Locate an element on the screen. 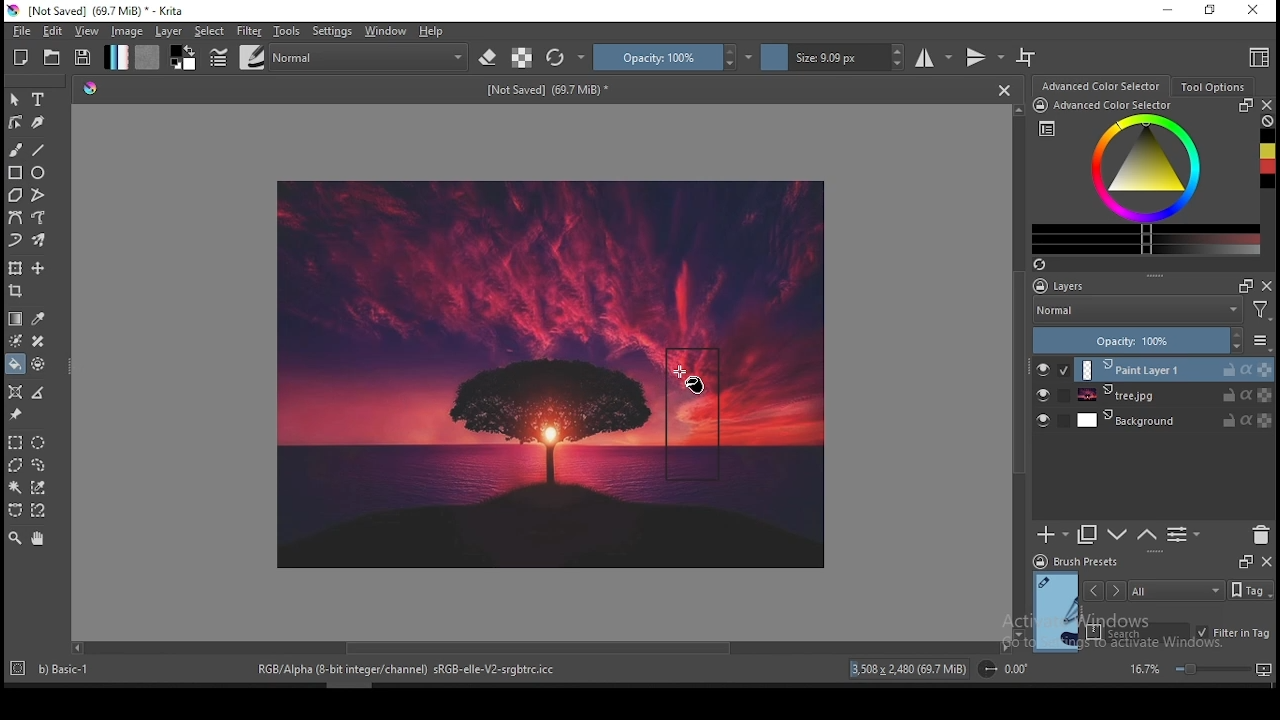  opacity is located at coordinates (1152, 340).